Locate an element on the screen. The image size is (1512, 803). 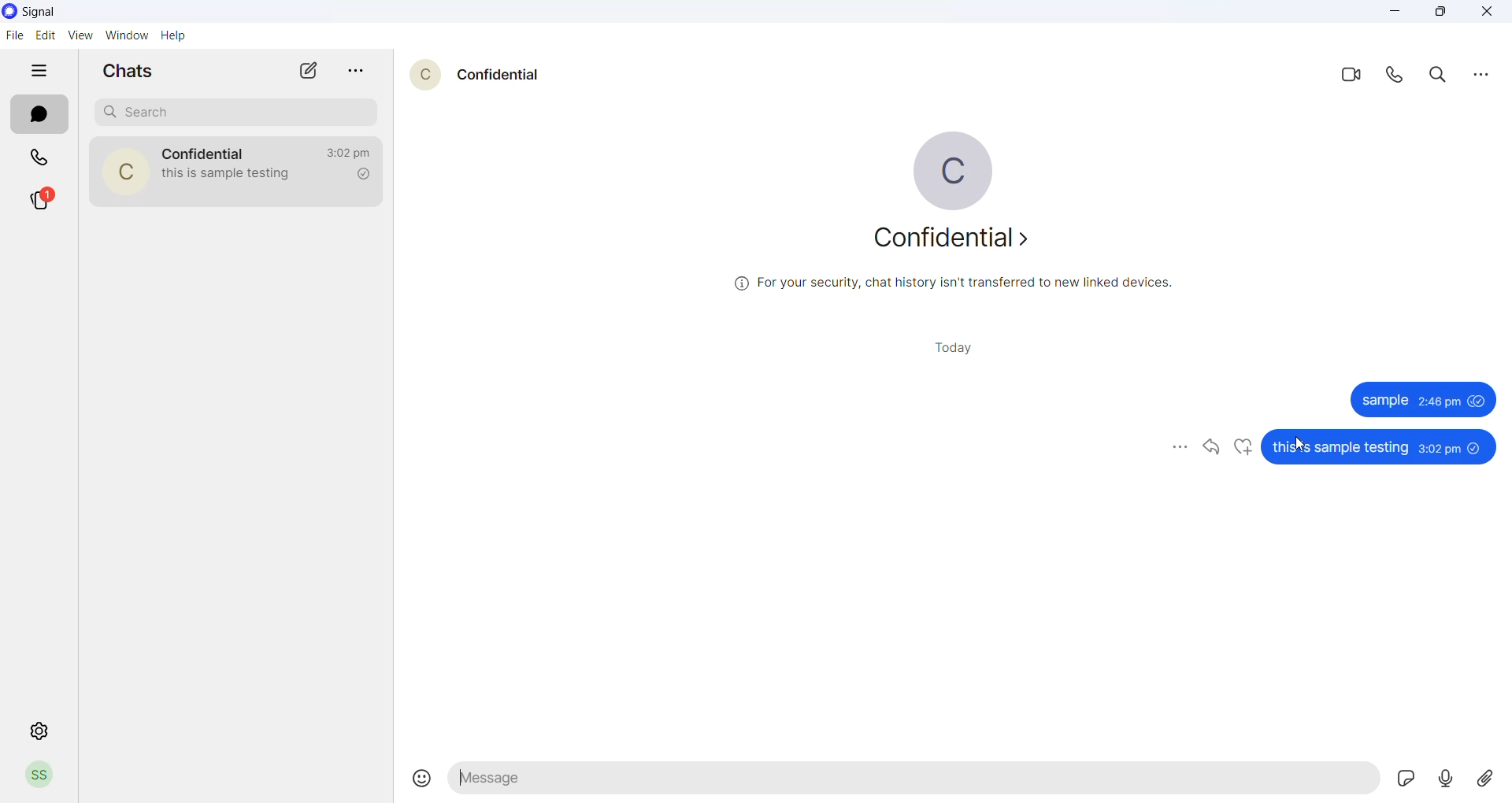
profile picture is located at coordinates (124, 170).